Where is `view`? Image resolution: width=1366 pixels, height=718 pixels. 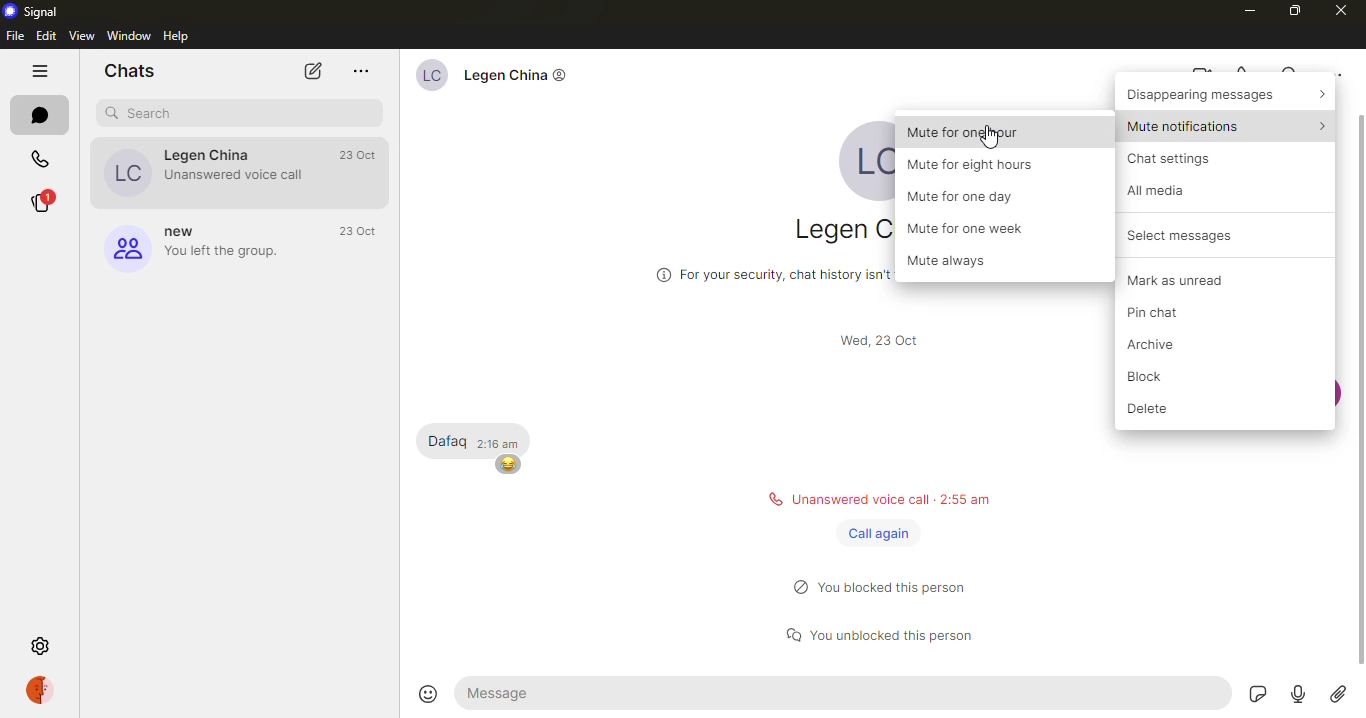 view is located at coordinates (81, 34).